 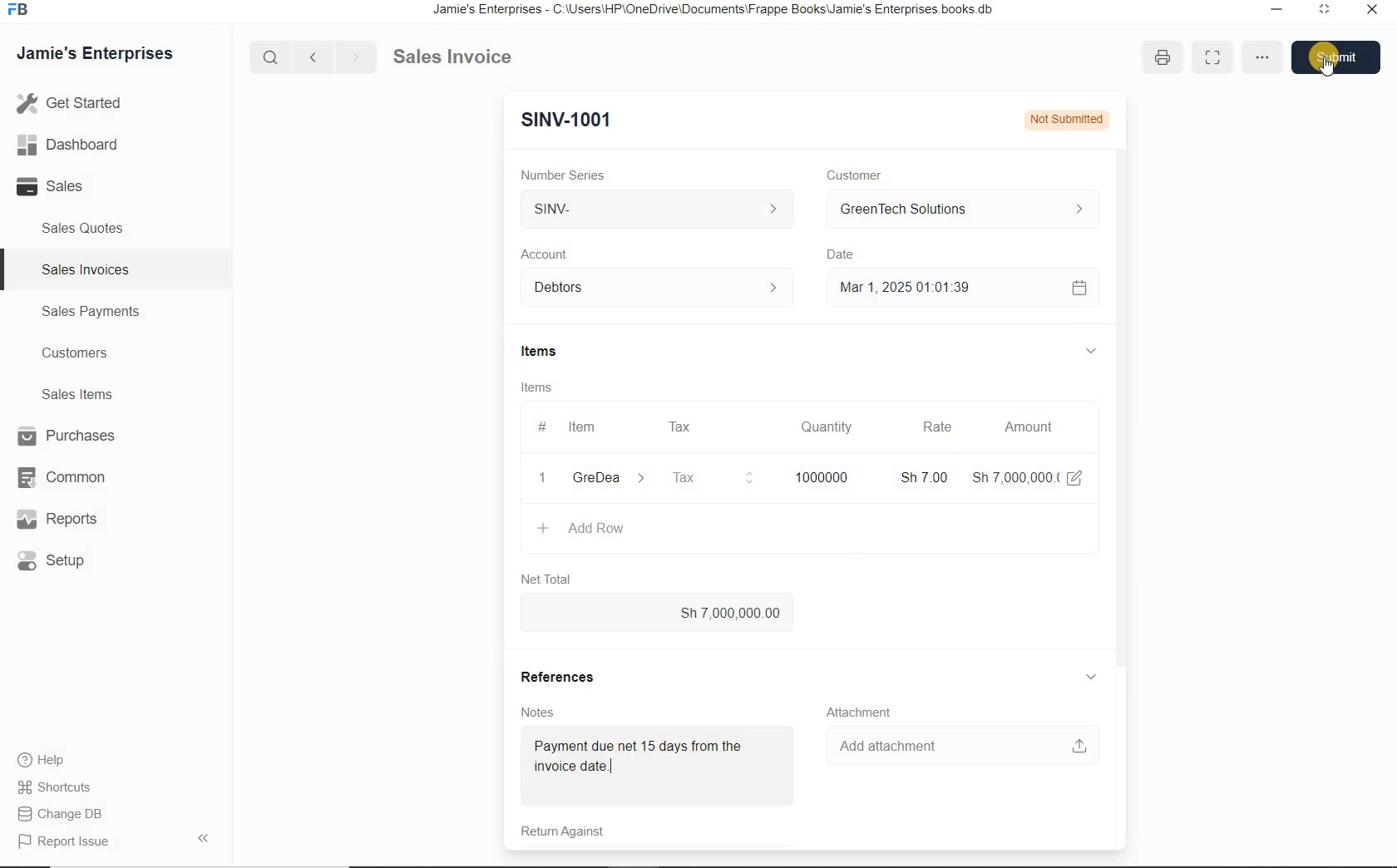 What do you see at coordinates (543, 578) in the screenshot?
I see `Net Total` at bounding box center [543, 578].